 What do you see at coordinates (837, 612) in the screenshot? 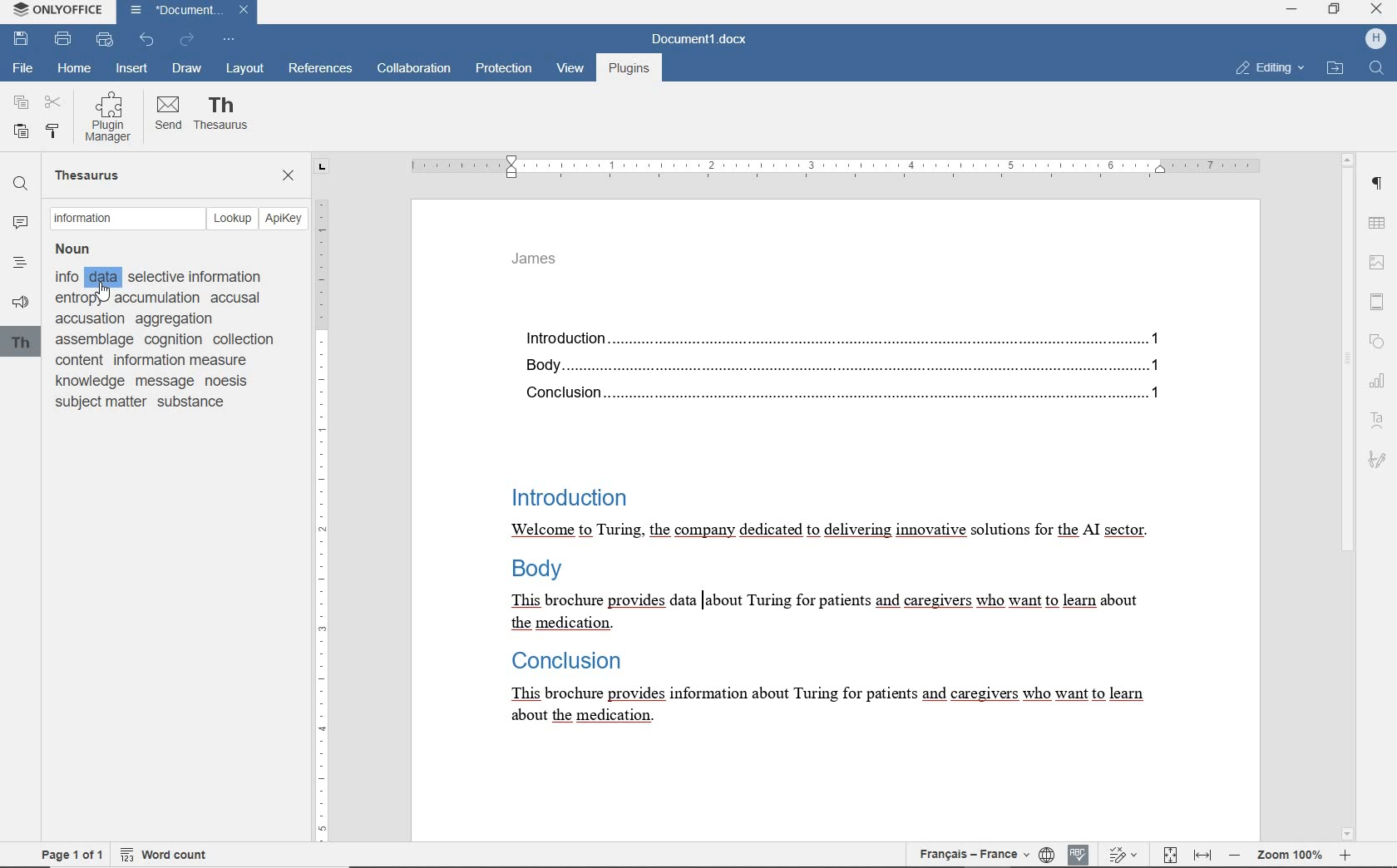
I see `This brochure provides information about Turing for patients and caregivers who want to learn
about the medication.` at bounding box center [837, 612].